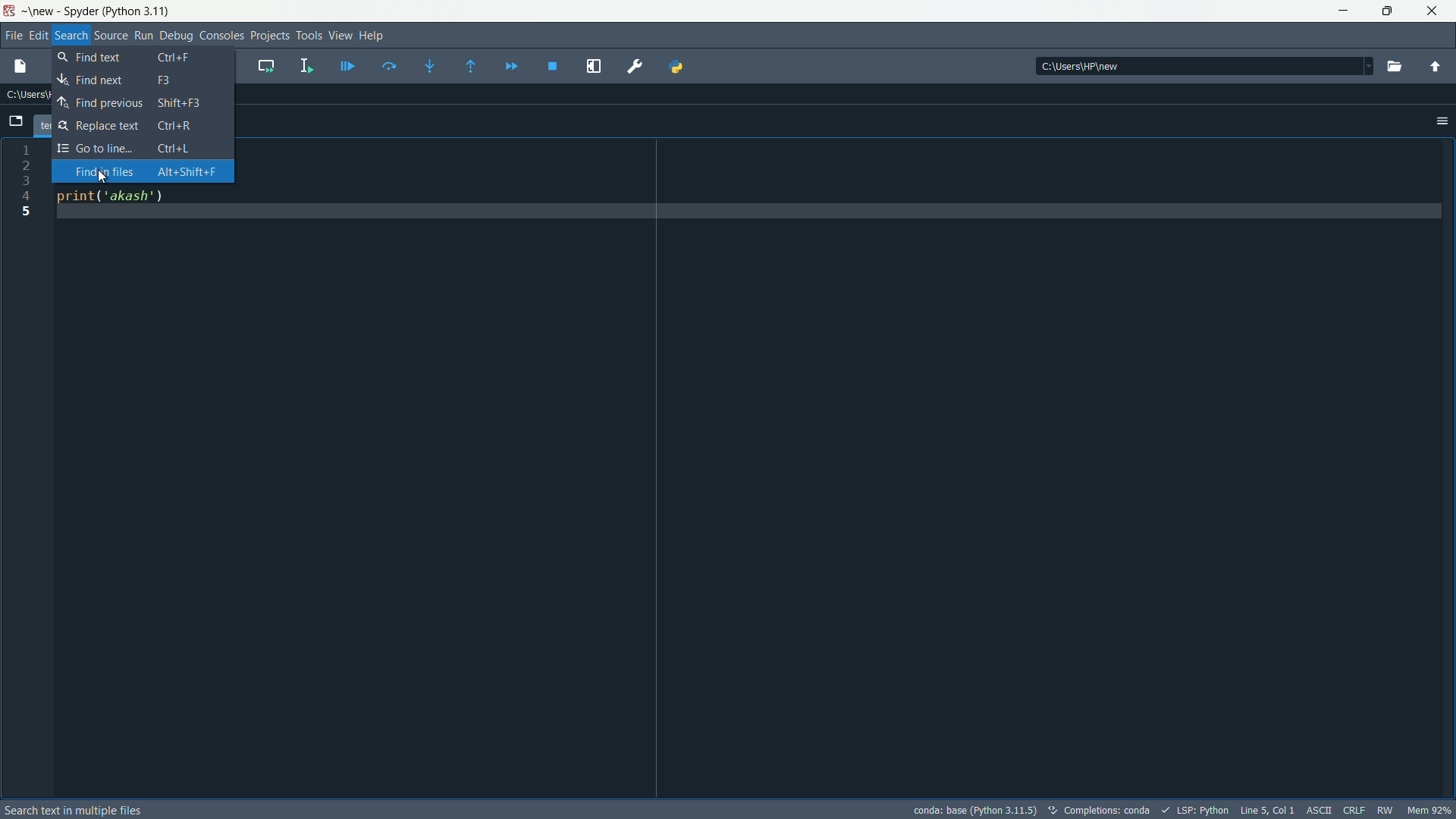 The image size is (1456, 819). What do you see at coordinates (1342, 11) in the screenshot?
I see `minimize app` at bounding box center [1342, 11].